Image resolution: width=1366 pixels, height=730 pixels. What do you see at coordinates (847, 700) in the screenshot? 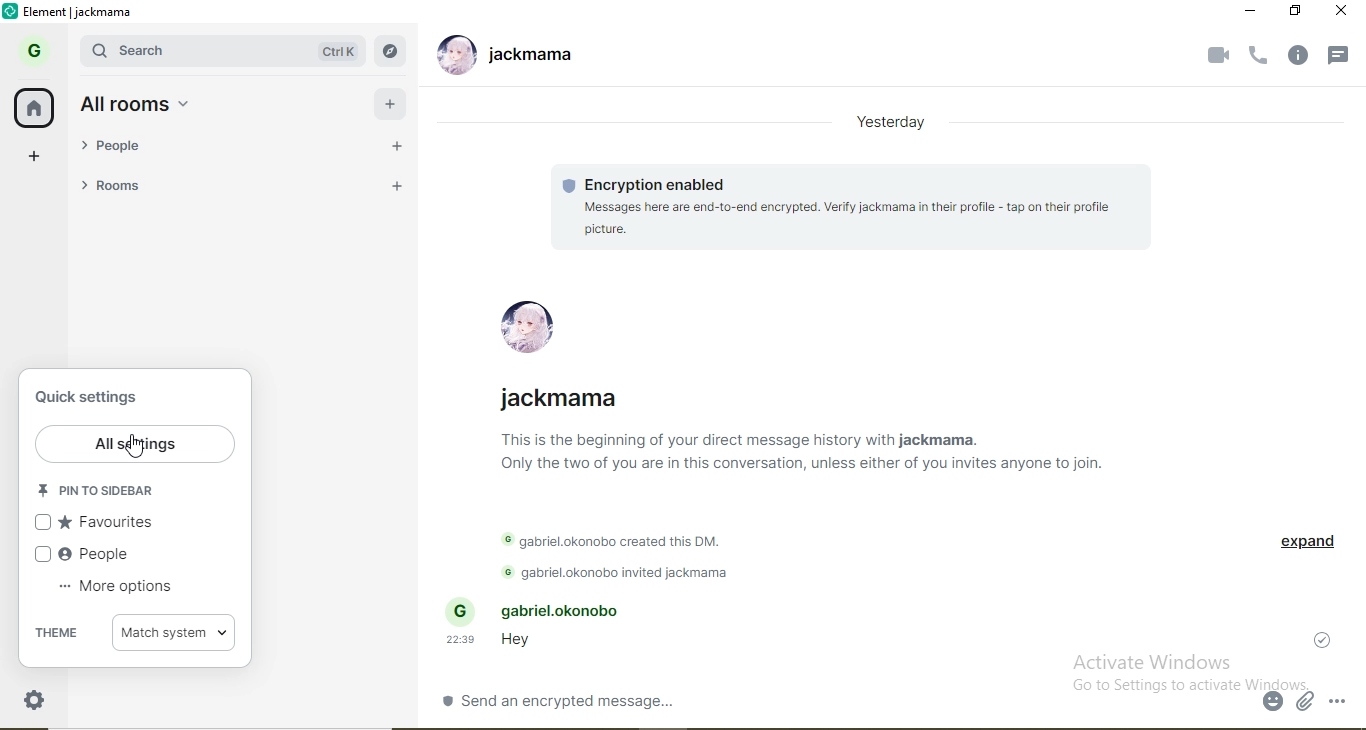
I see `chat box` at bounding box center [847, 700].